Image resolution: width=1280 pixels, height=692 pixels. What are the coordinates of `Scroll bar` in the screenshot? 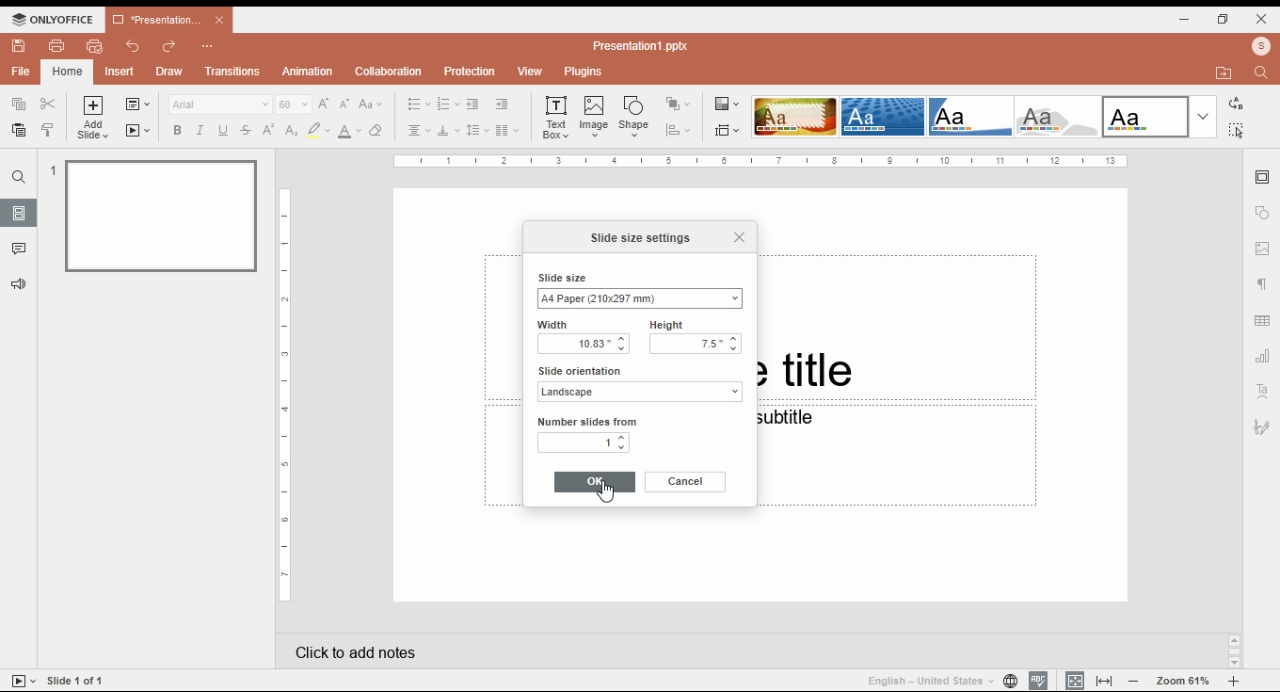 It's located at (1234, 650).